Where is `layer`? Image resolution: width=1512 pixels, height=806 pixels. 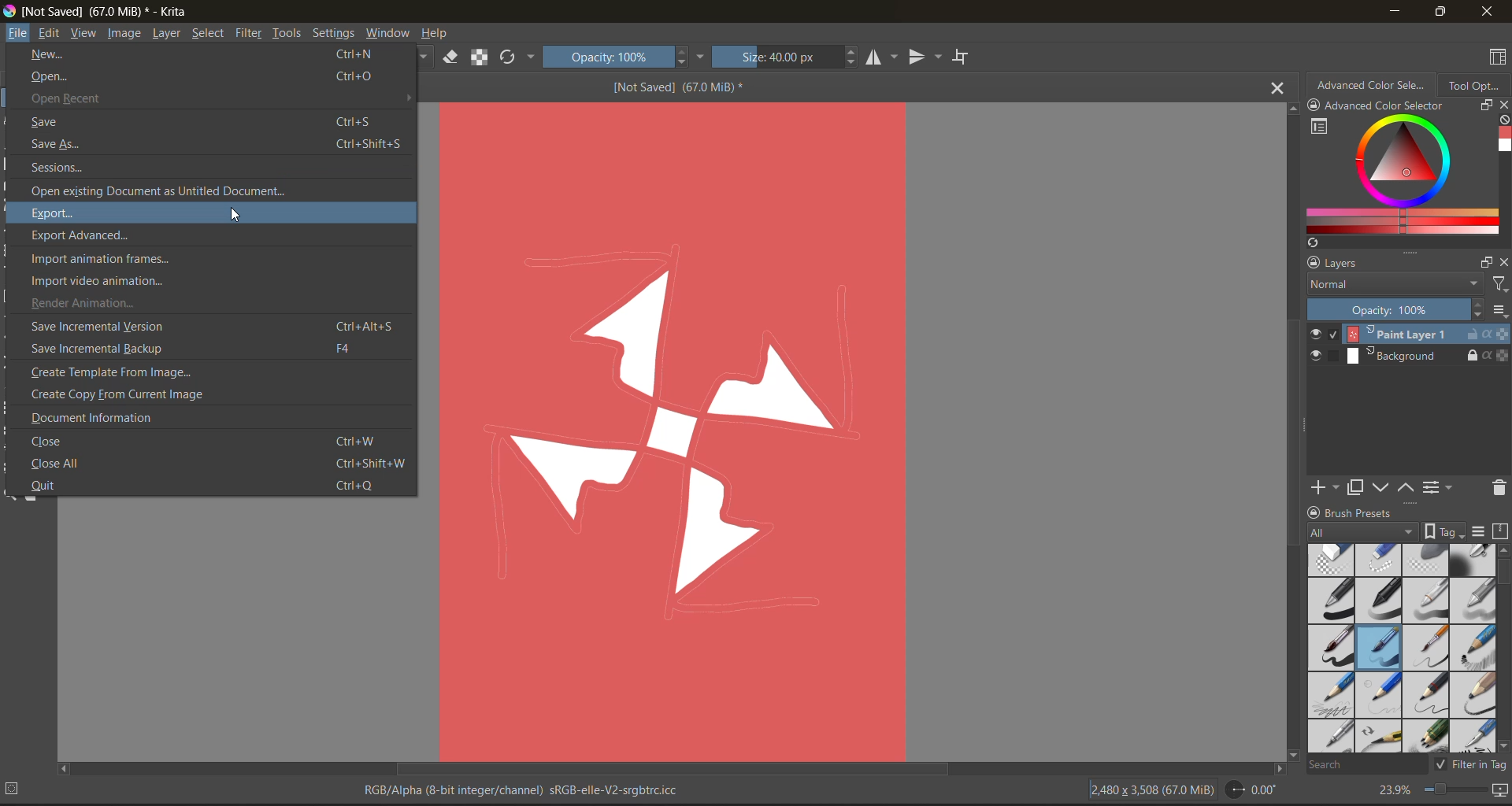 layer is located at coordinates (1409, 335).